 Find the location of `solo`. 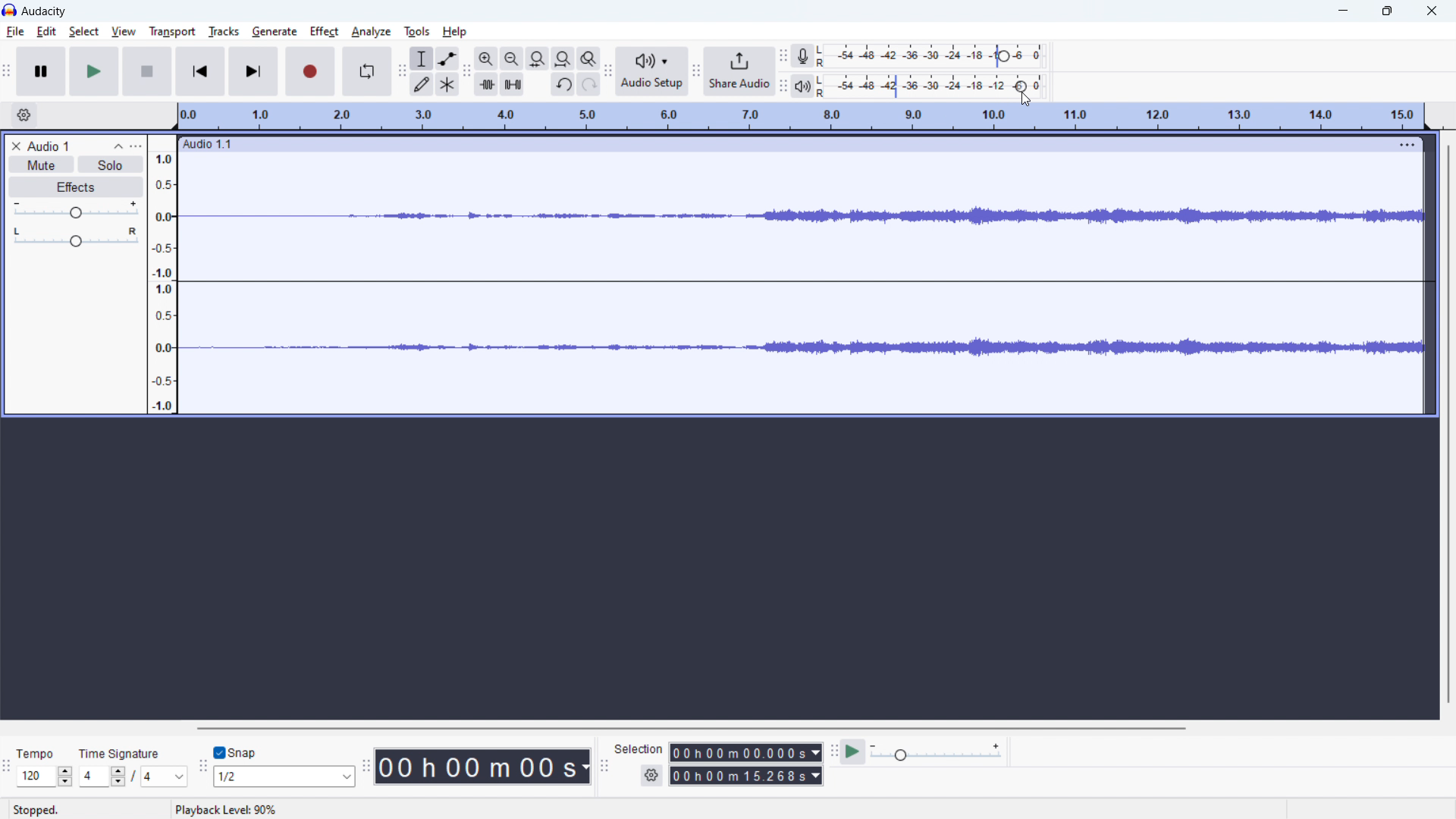

solo is located at coordinates (111, 165).